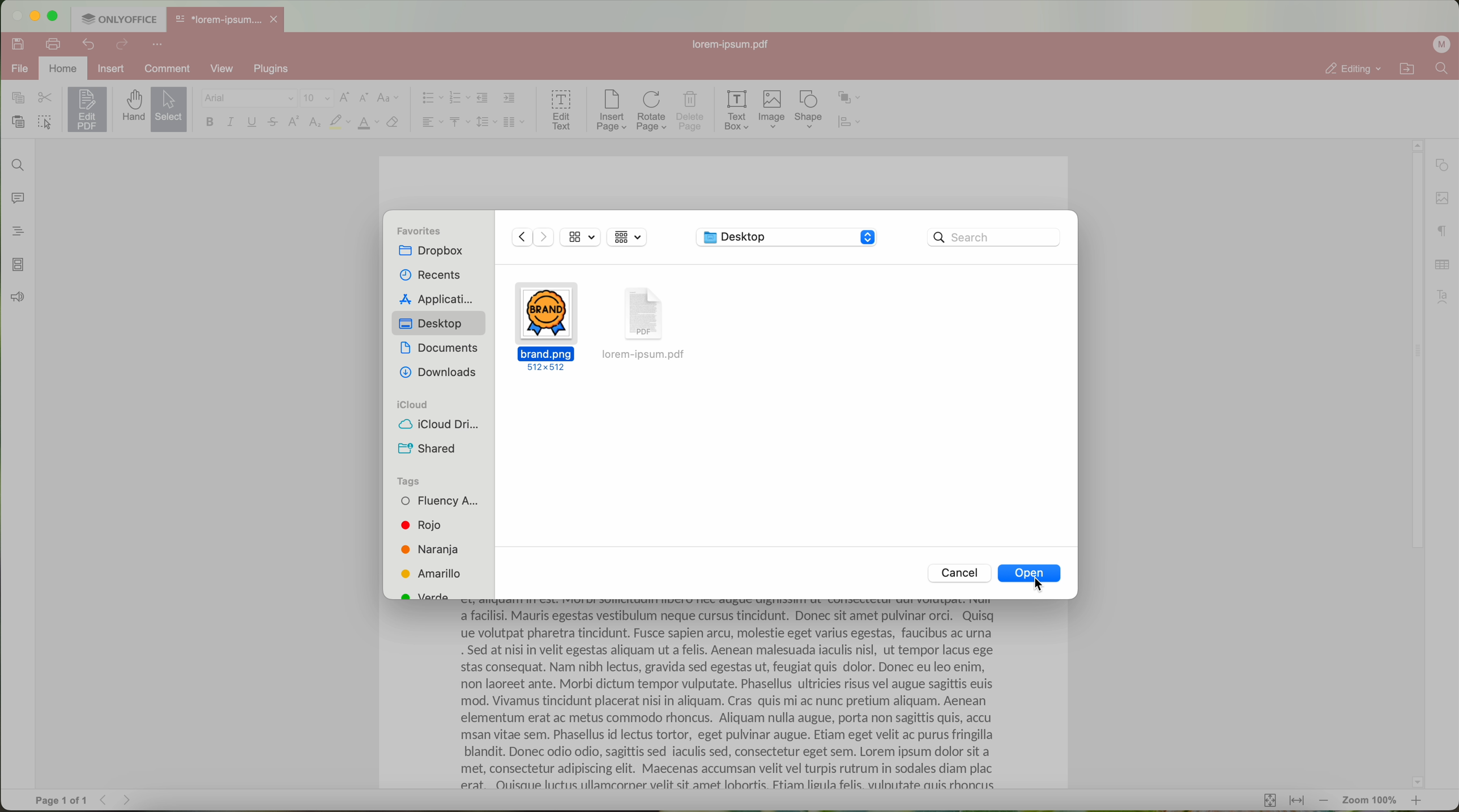 This screenshot has height=812, width=1459. What do you see at coordinates (1444, 44) in the screenshot?
I see `profile` at bounding box center [1444, 44].